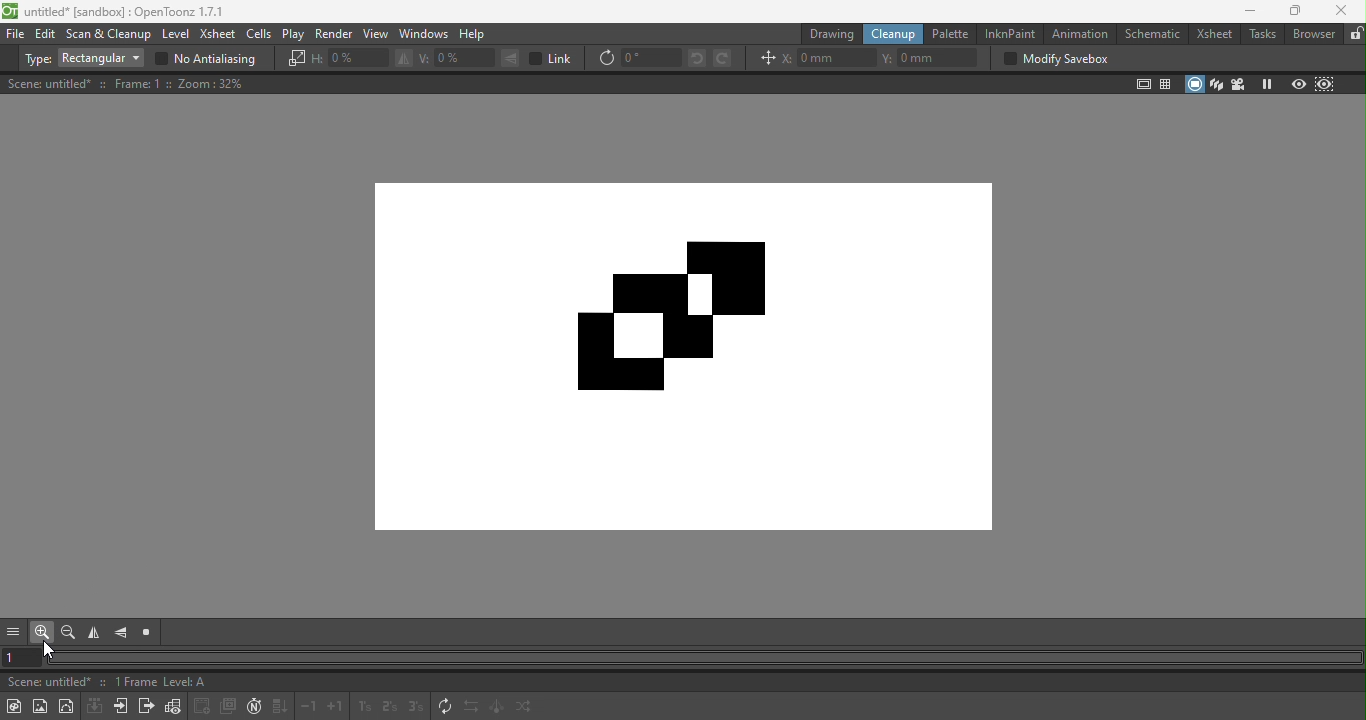 This screenshot has height=720, width=1366. I want to click on Windows, so click(427, 35).